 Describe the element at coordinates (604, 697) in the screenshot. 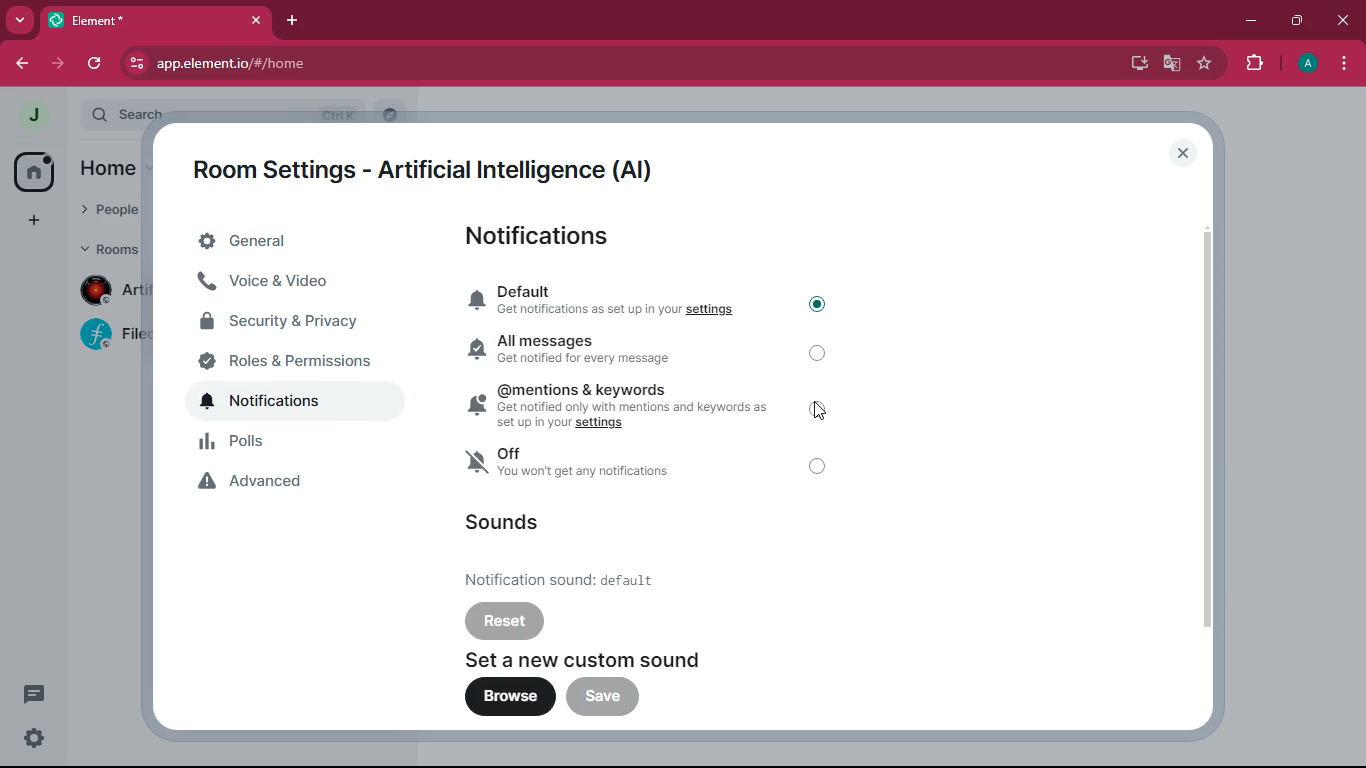

I see `save` at that location.